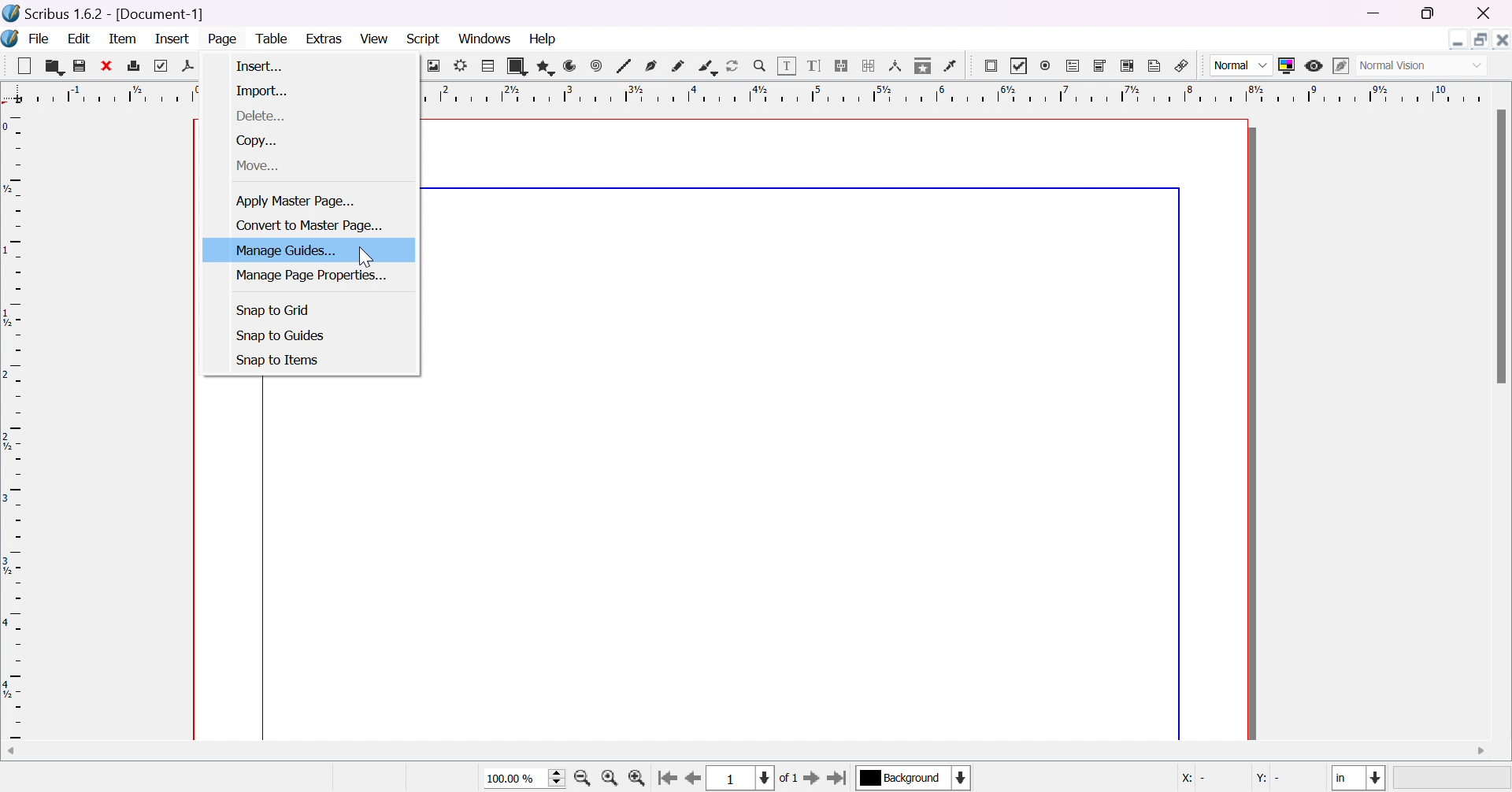 The width and height of the screenshot is (1512, 792). I want to click on select current layer, so click(902, 778).